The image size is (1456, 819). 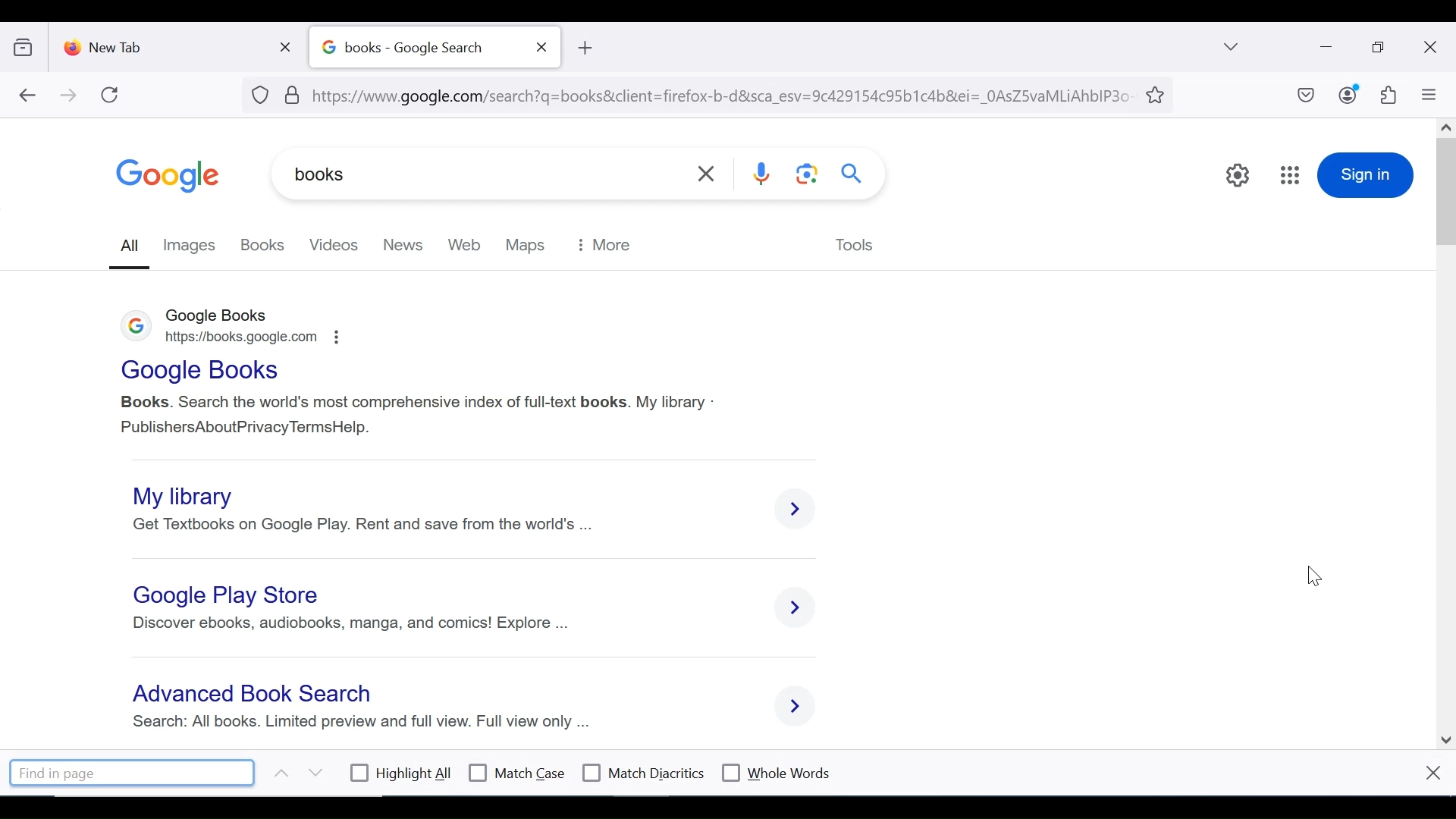 I want to click on Google Play Store, so click(x=231, y=594).